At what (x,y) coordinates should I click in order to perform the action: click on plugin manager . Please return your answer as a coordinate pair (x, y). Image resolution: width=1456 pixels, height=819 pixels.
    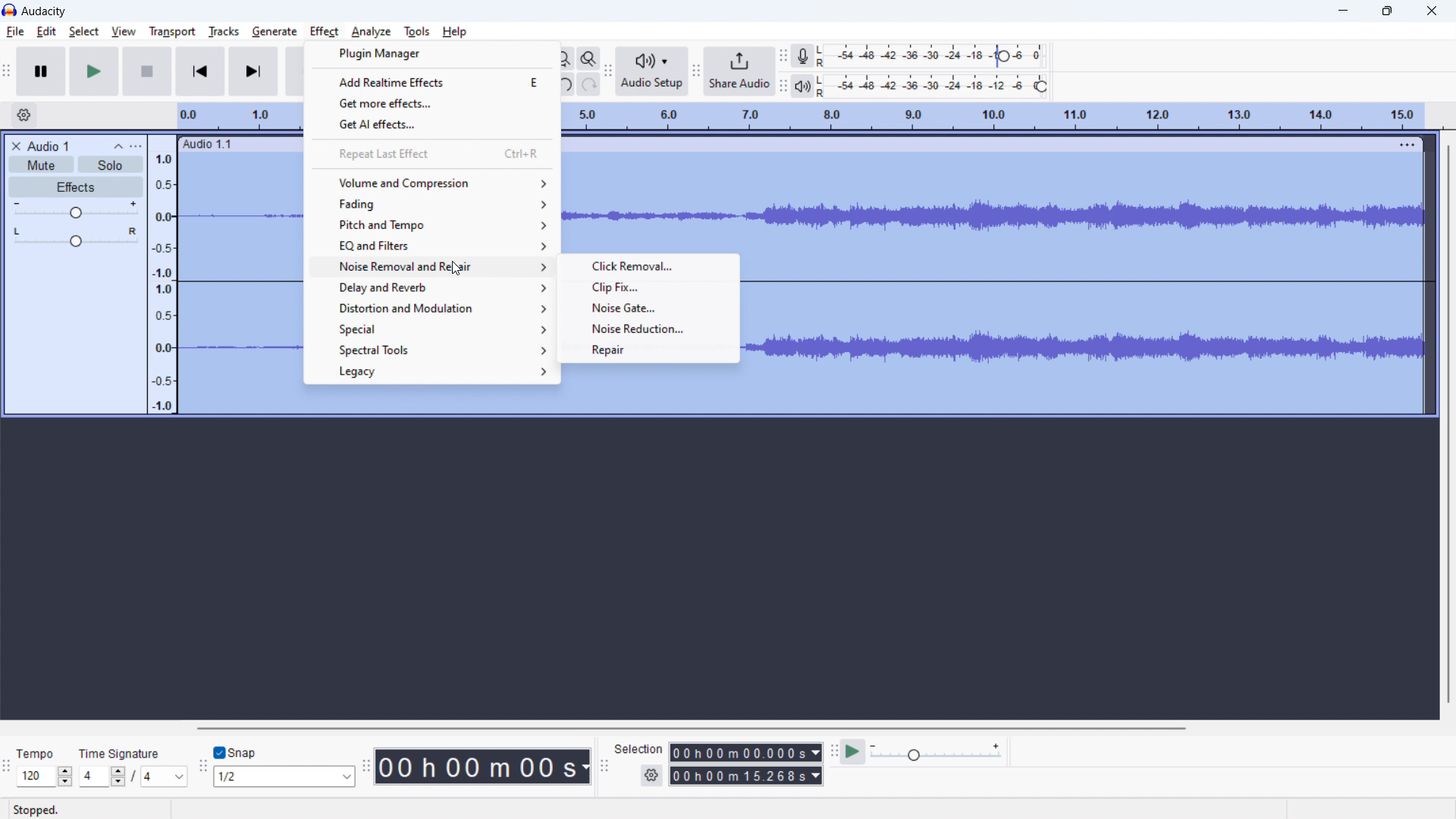
    Looking at the image, I should click on (432, 54).